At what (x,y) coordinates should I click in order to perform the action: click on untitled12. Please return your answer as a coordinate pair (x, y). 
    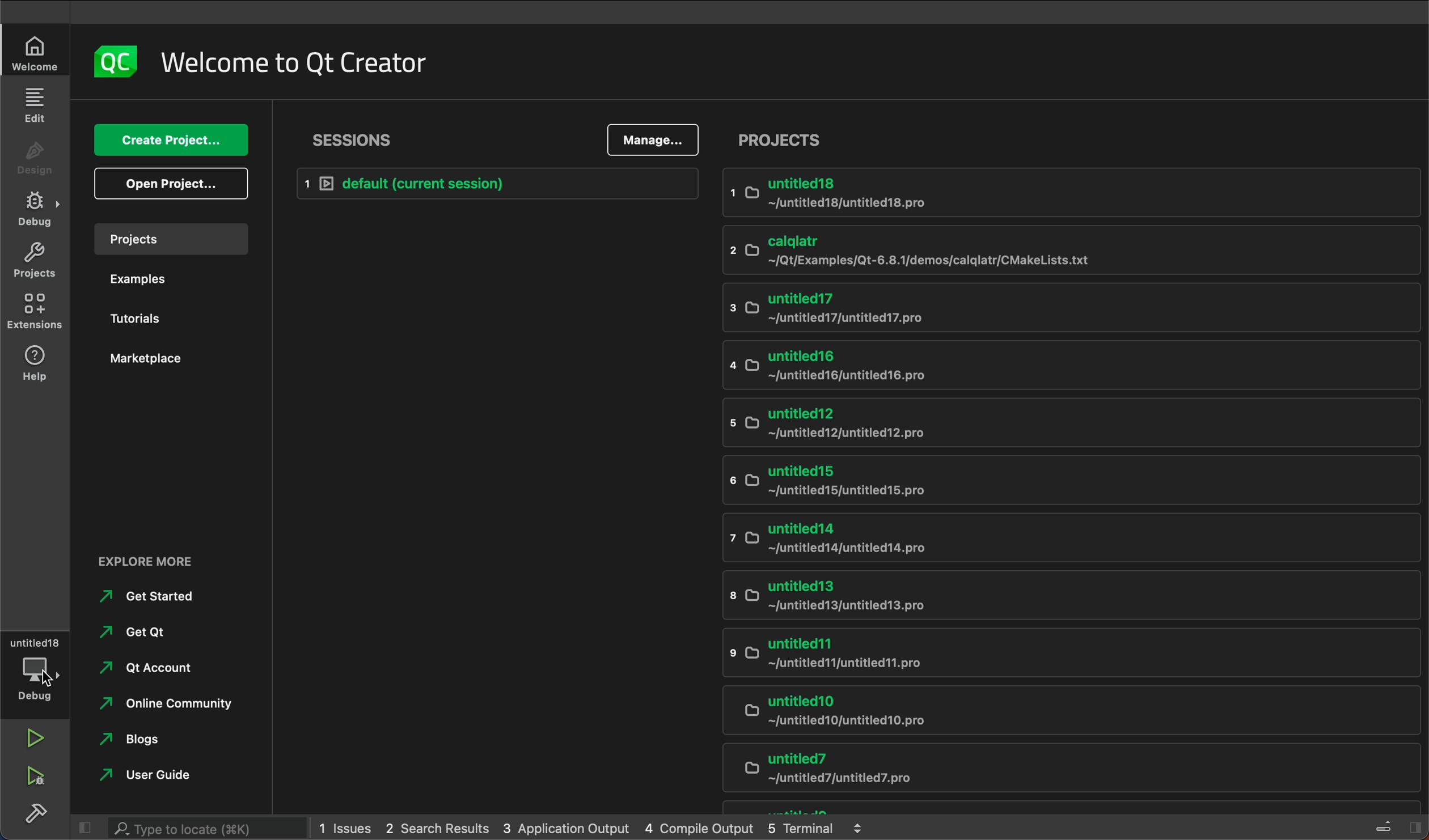
    Looking at the image, I should click on (1017, 422).